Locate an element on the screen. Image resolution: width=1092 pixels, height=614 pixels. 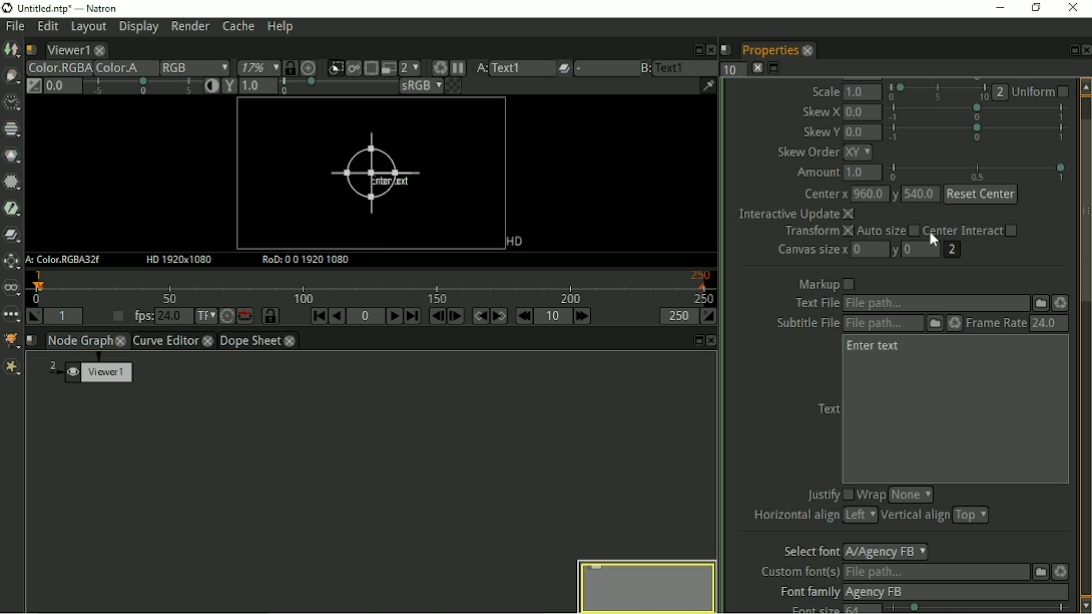
Horizontal align is located at coordinates (795, 518).